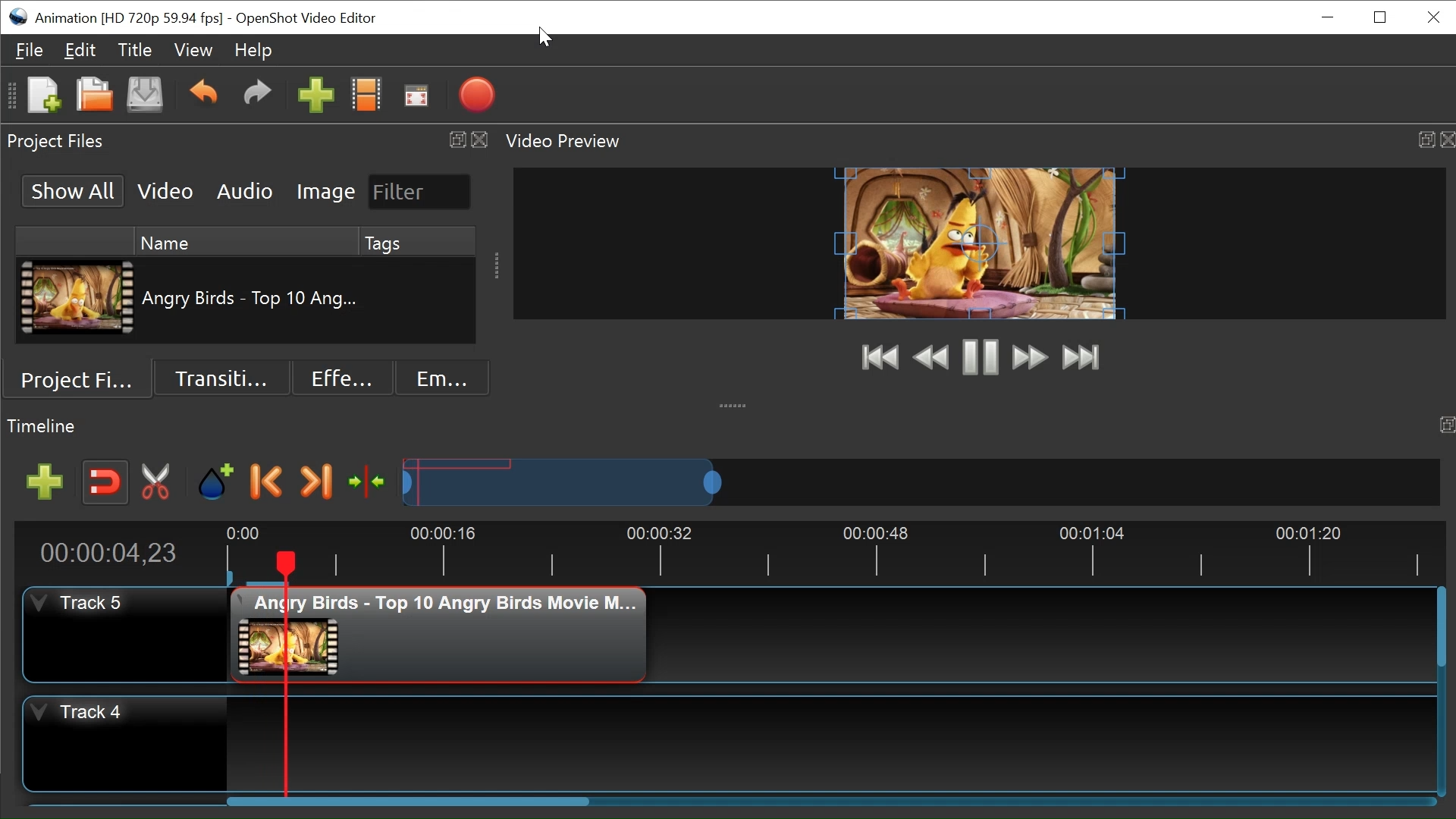  What do you see at coordinates (733, 403) in the screenshot?
I see `collapse` at bounding box center [733, 403].